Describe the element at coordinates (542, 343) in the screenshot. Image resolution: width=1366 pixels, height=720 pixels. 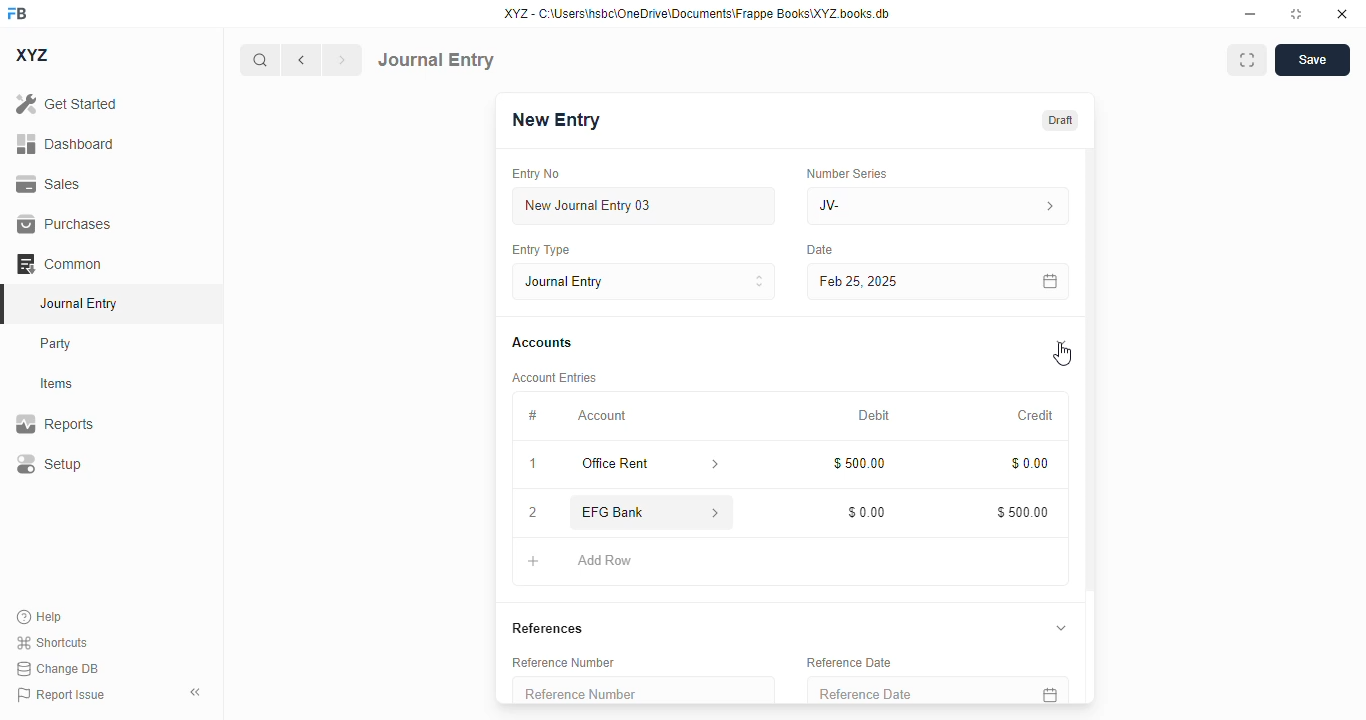
I see `accounts` at that location.